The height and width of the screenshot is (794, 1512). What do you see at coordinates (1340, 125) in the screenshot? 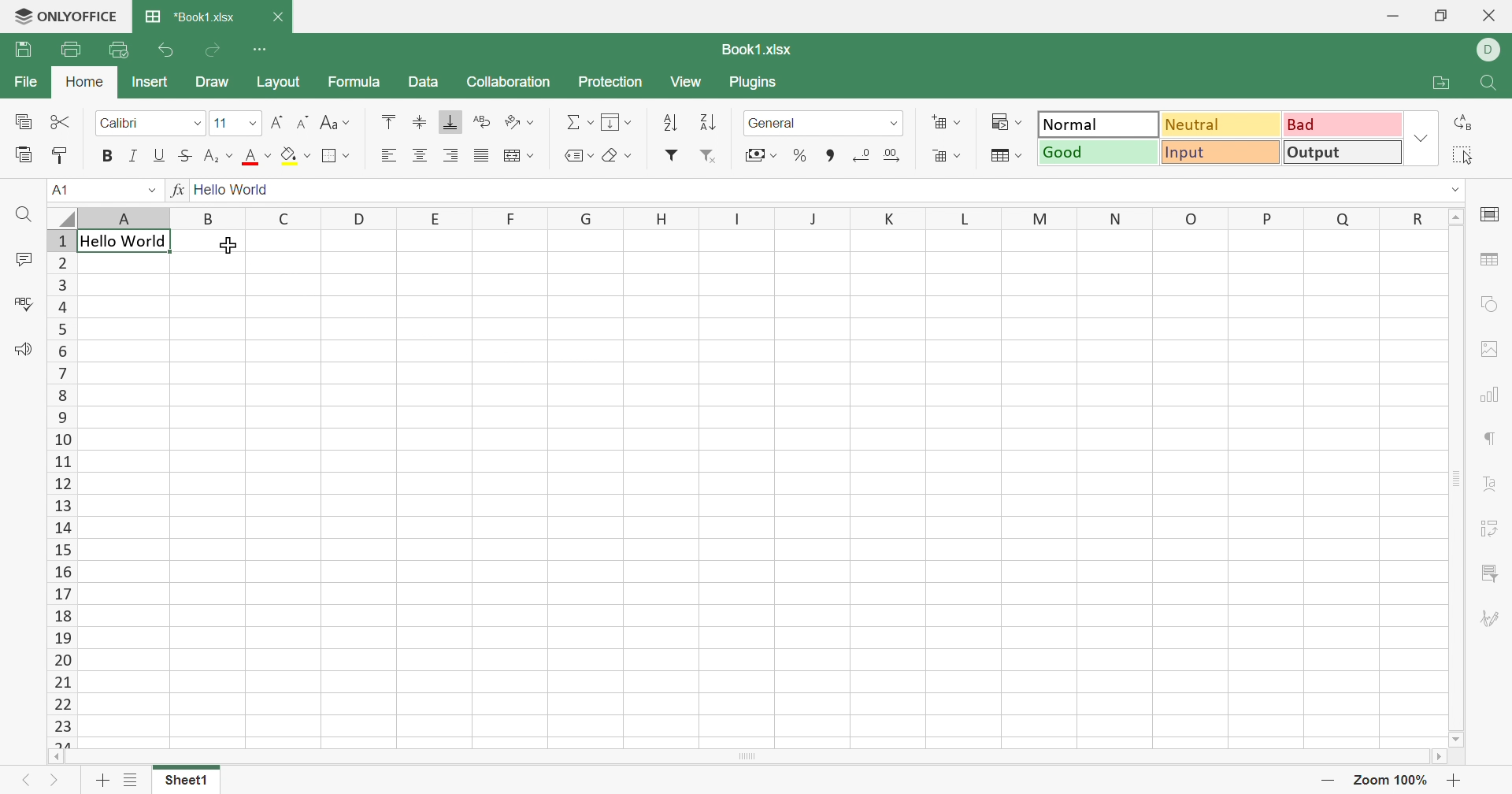
I see `Bad` at bounding box center [1340, 125].